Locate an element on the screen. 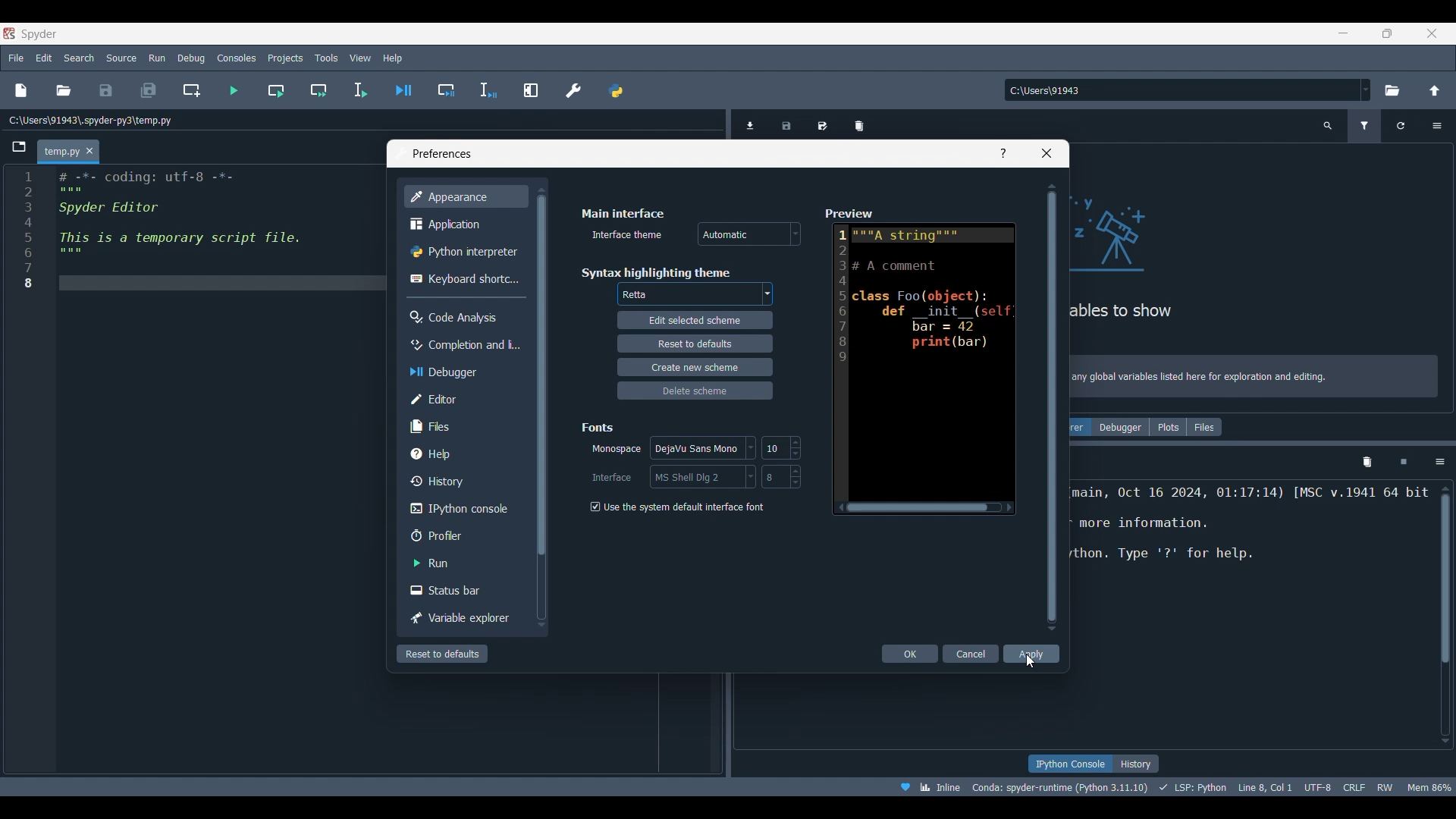 The width and height of the screenshot is (1456, 819). Indicates interface theme options is located at coordinates (625, 235).